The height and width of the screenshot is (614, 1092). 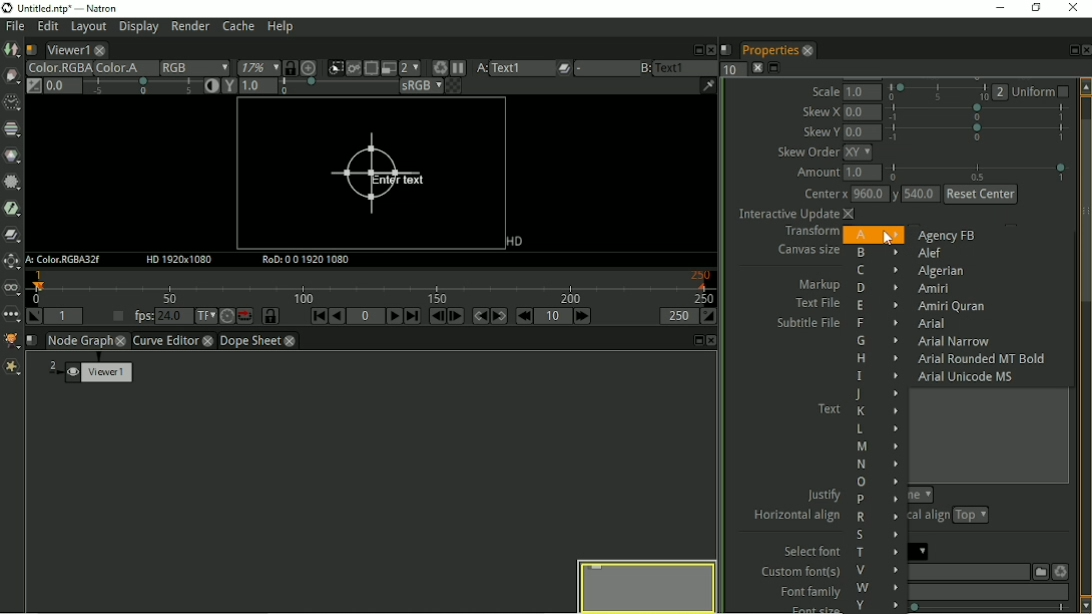 What do you see at coordinates (875, 271) in the screenshot?
I see `C` at bounding box center [875, 271].